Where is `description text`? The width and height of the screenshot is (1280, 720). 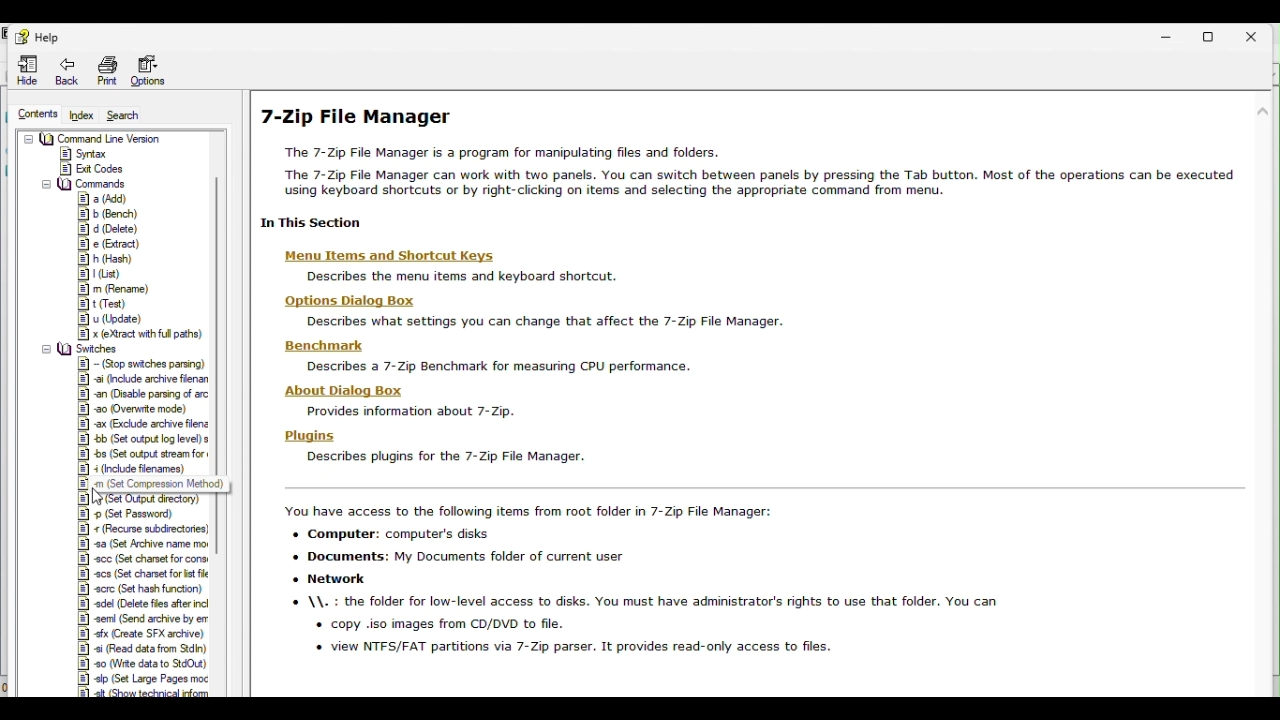
description text is located at coordinates (546, 322).